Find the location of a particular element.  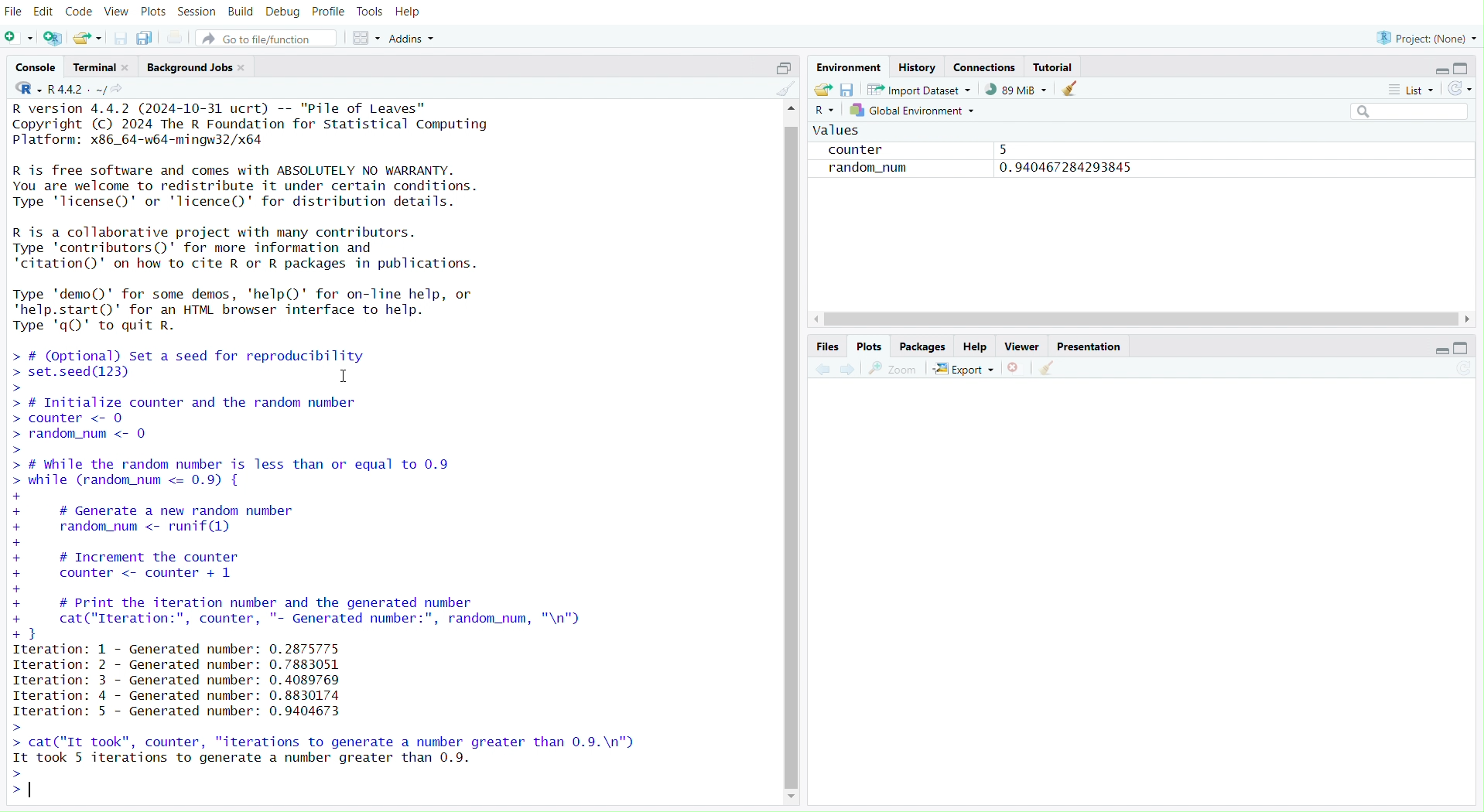

Help is located at coordinates (412, 10).